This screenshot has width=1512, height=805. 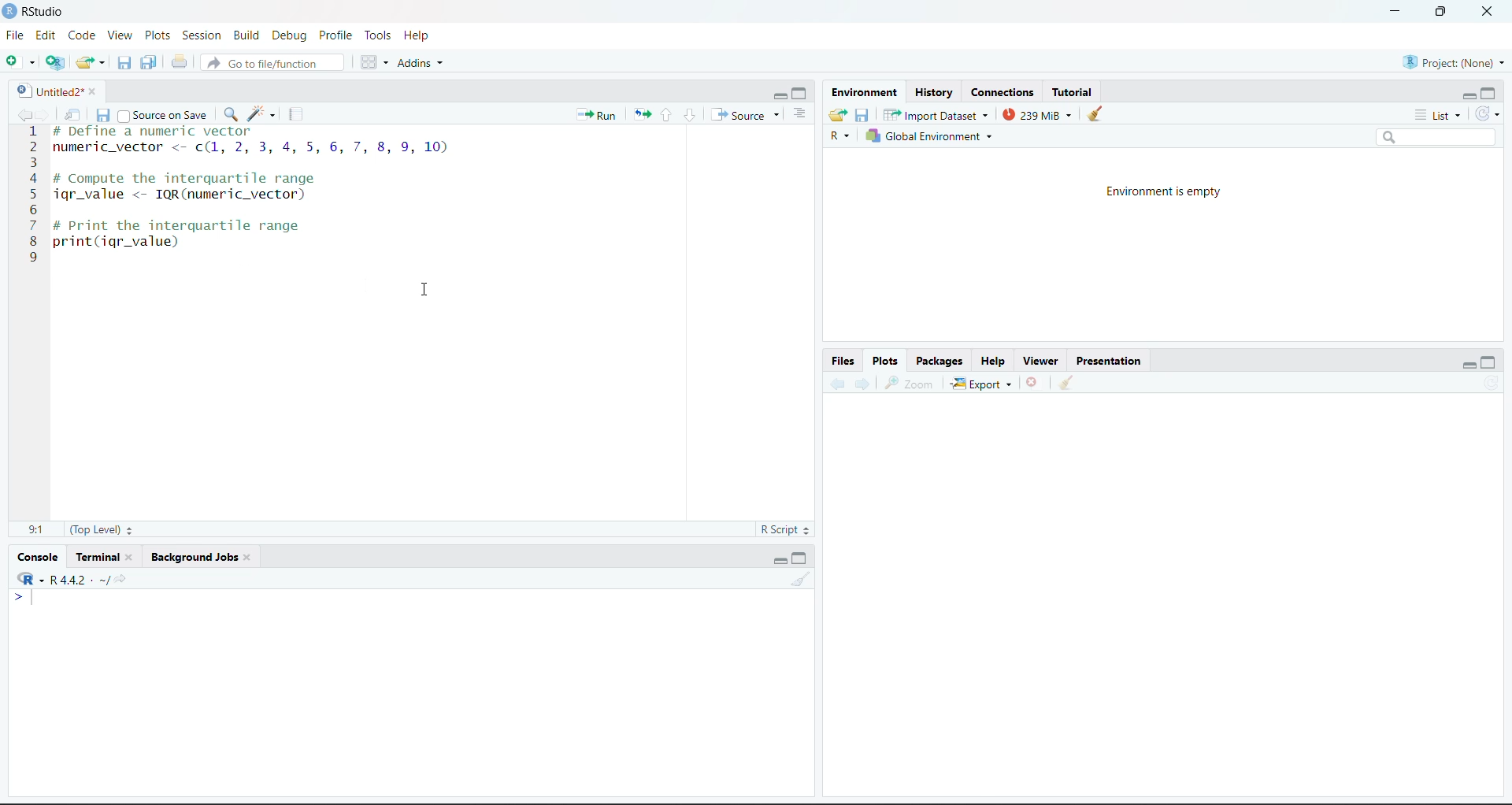 I want to click on Minimize, so click(x=778, y=558).